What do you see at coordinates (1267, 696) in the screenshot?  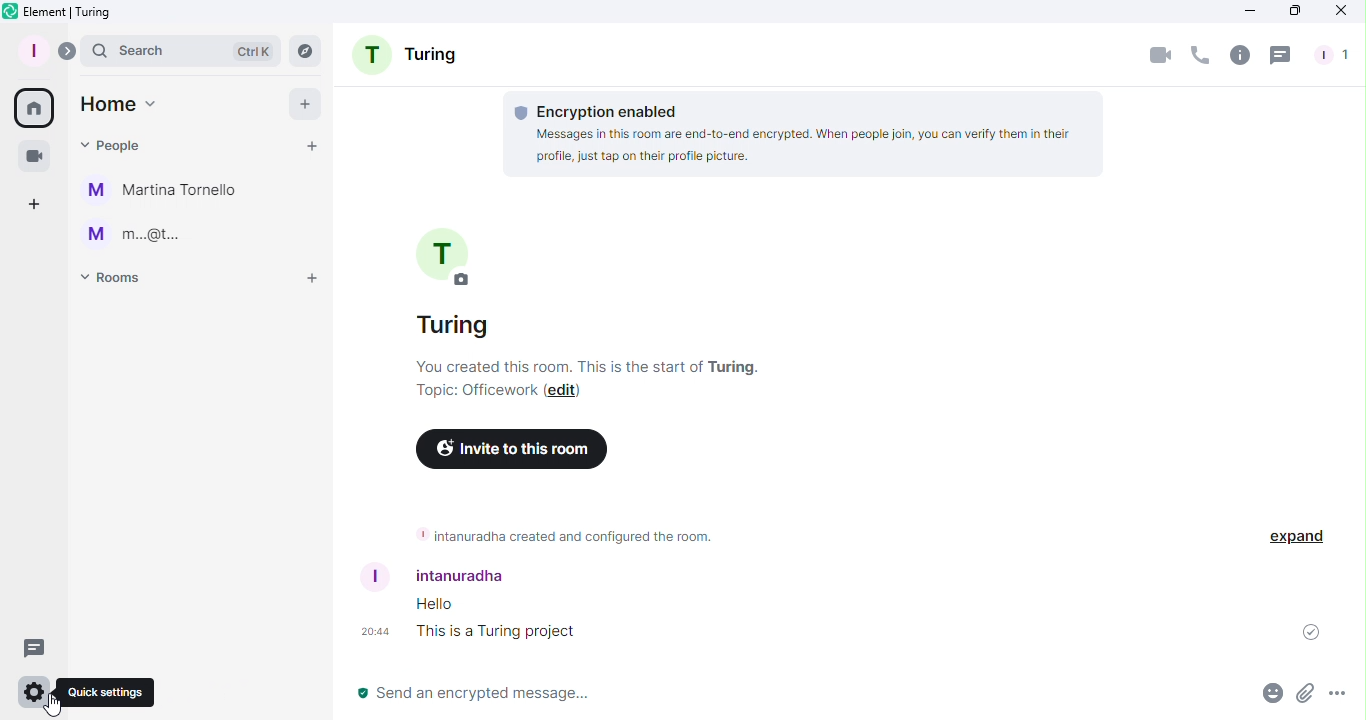 I see `Emoji` at bounding box center [1267, 696].